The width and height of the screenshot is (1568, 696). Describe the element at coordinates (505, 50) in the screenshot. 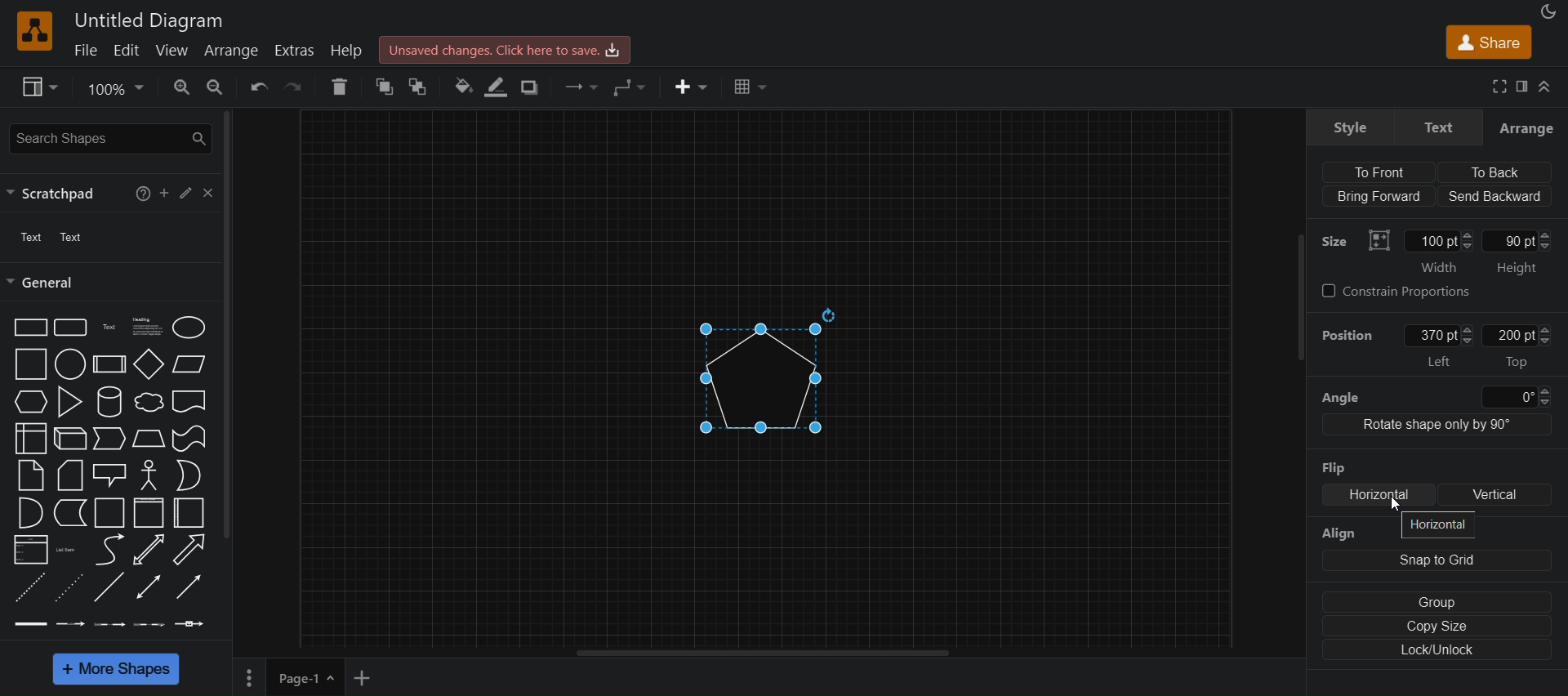

I see `Unsaved changes. Click here to save` at that location.